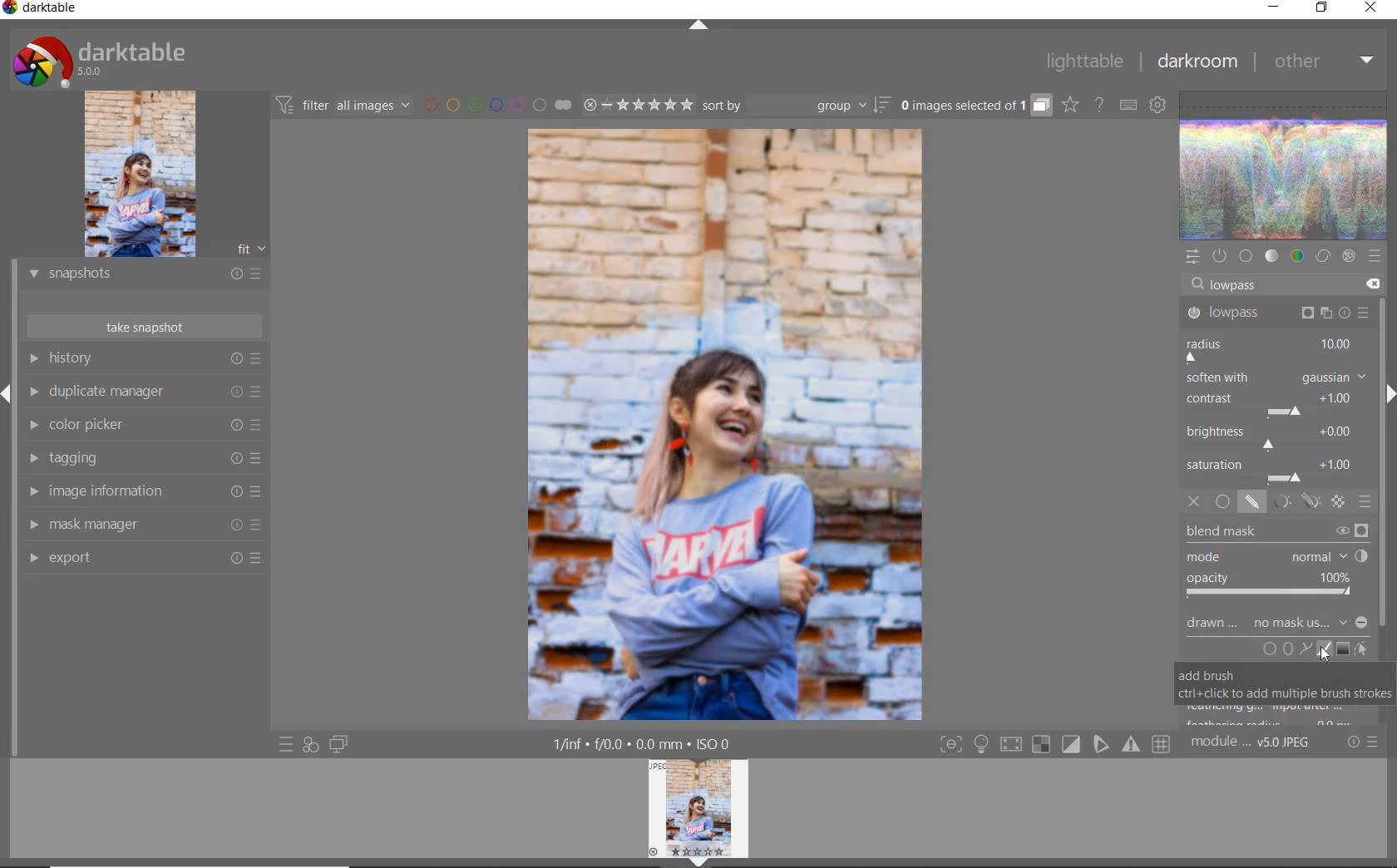 The width and height of the screenshot is (1397, 868). I want to click on color, so click(1296, 257).